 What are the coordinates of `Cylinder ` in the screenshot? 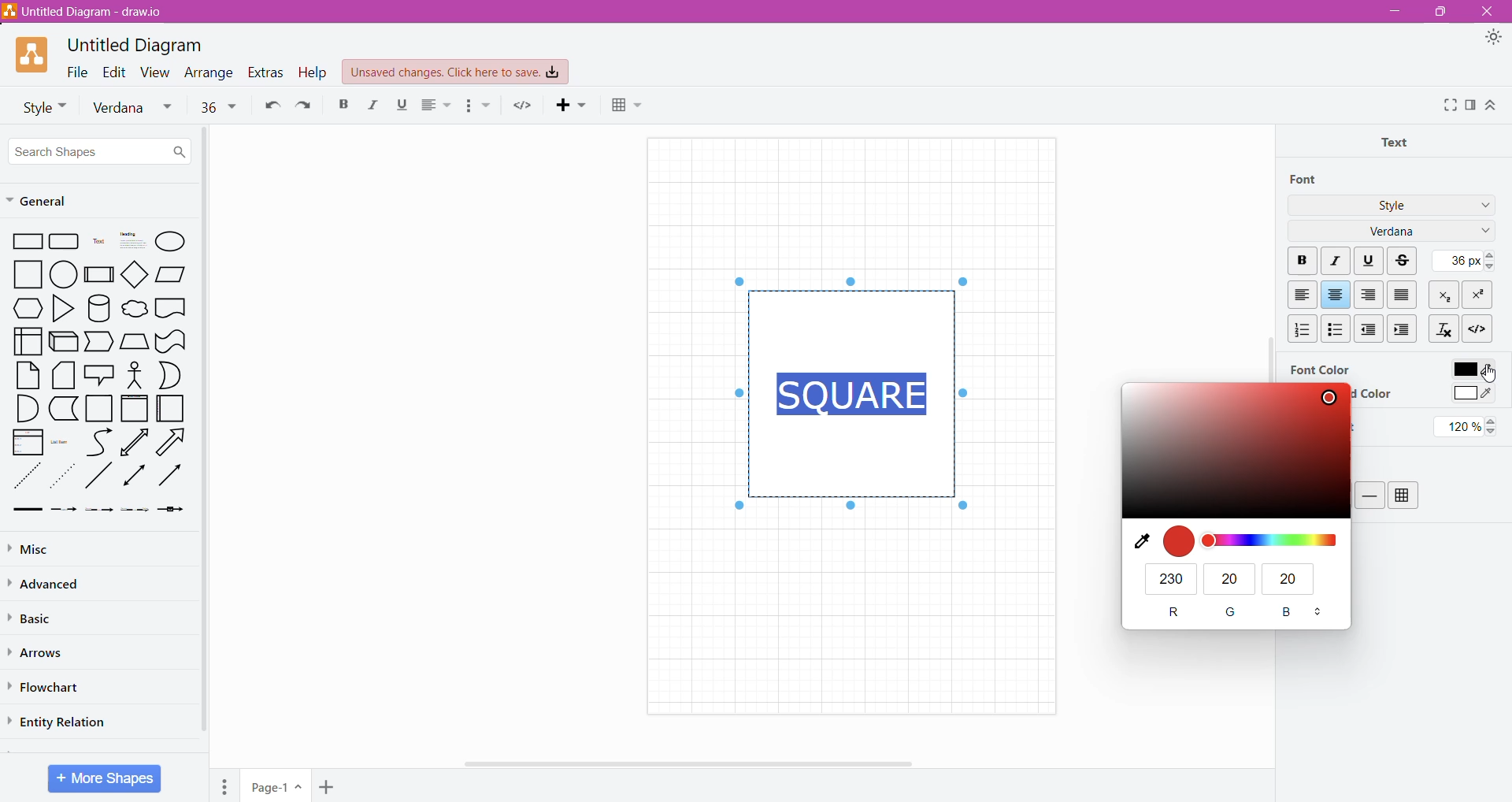 It's located at (99, 308).